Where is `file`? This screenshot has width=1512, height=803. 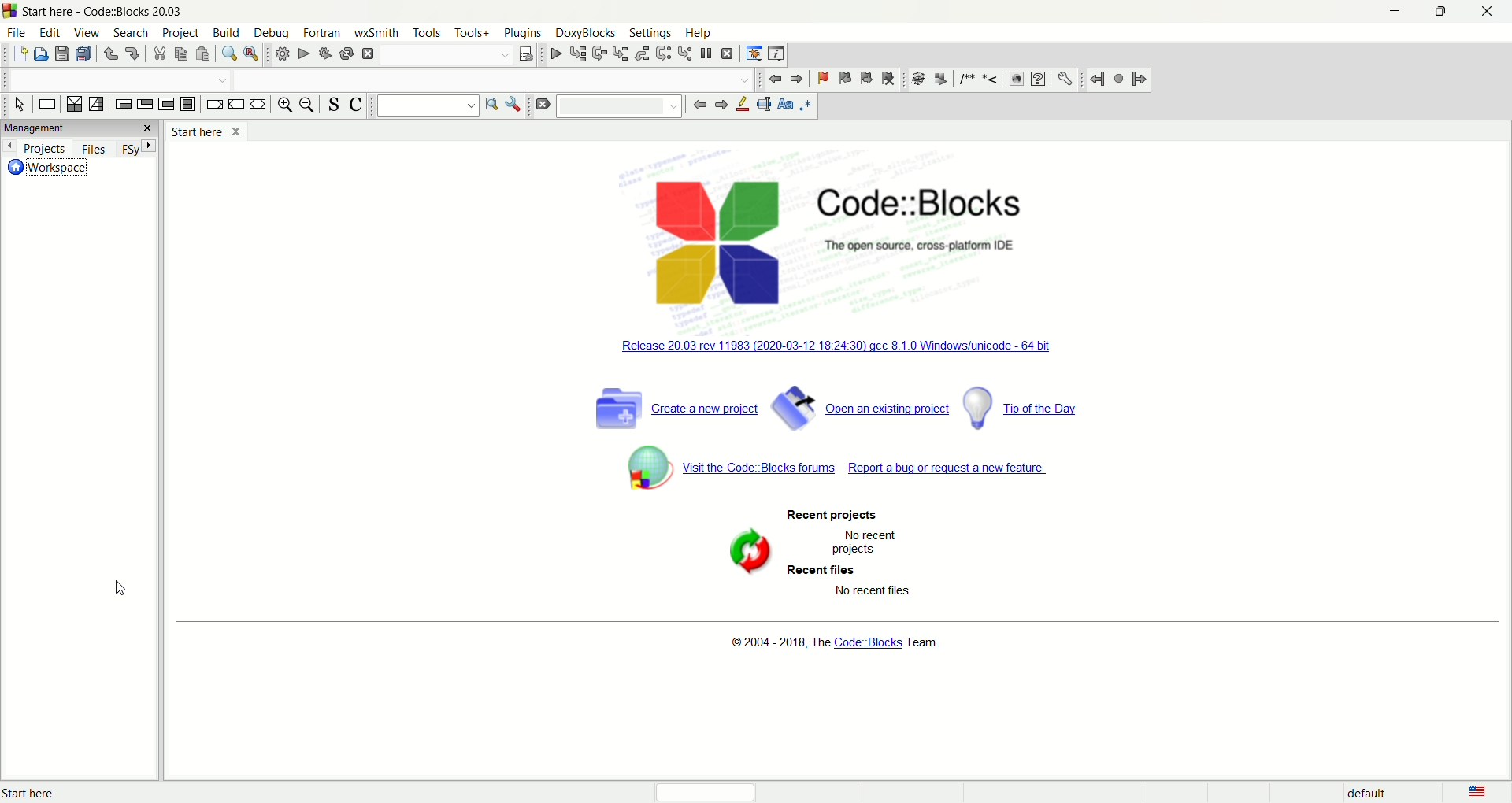
file is located at coordinates (17, 33).